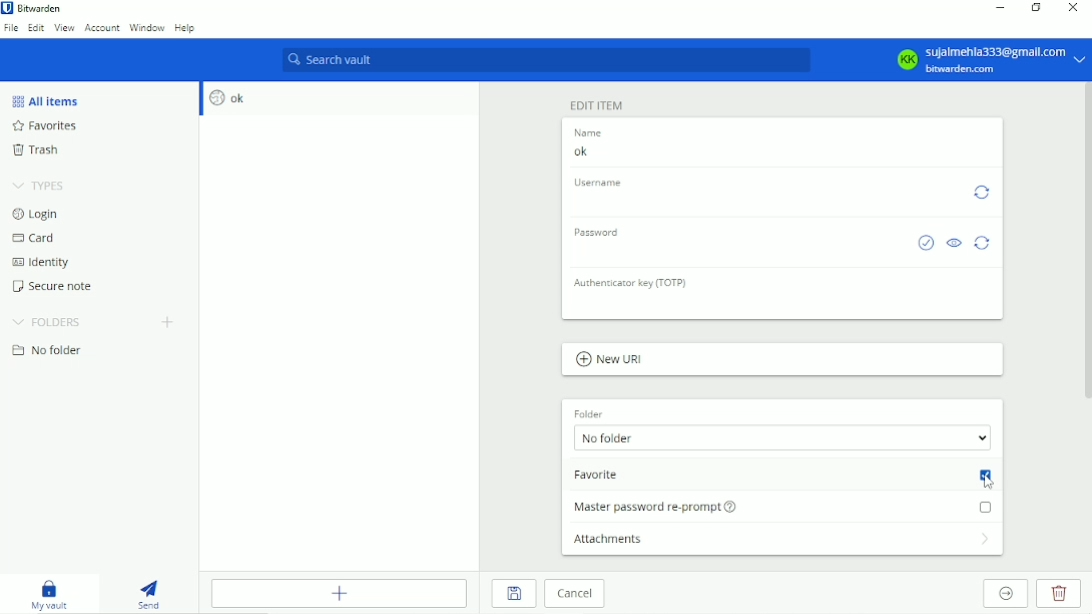 This screenshot has width=1092, height=614. I want to click on View, so click(63, 29).